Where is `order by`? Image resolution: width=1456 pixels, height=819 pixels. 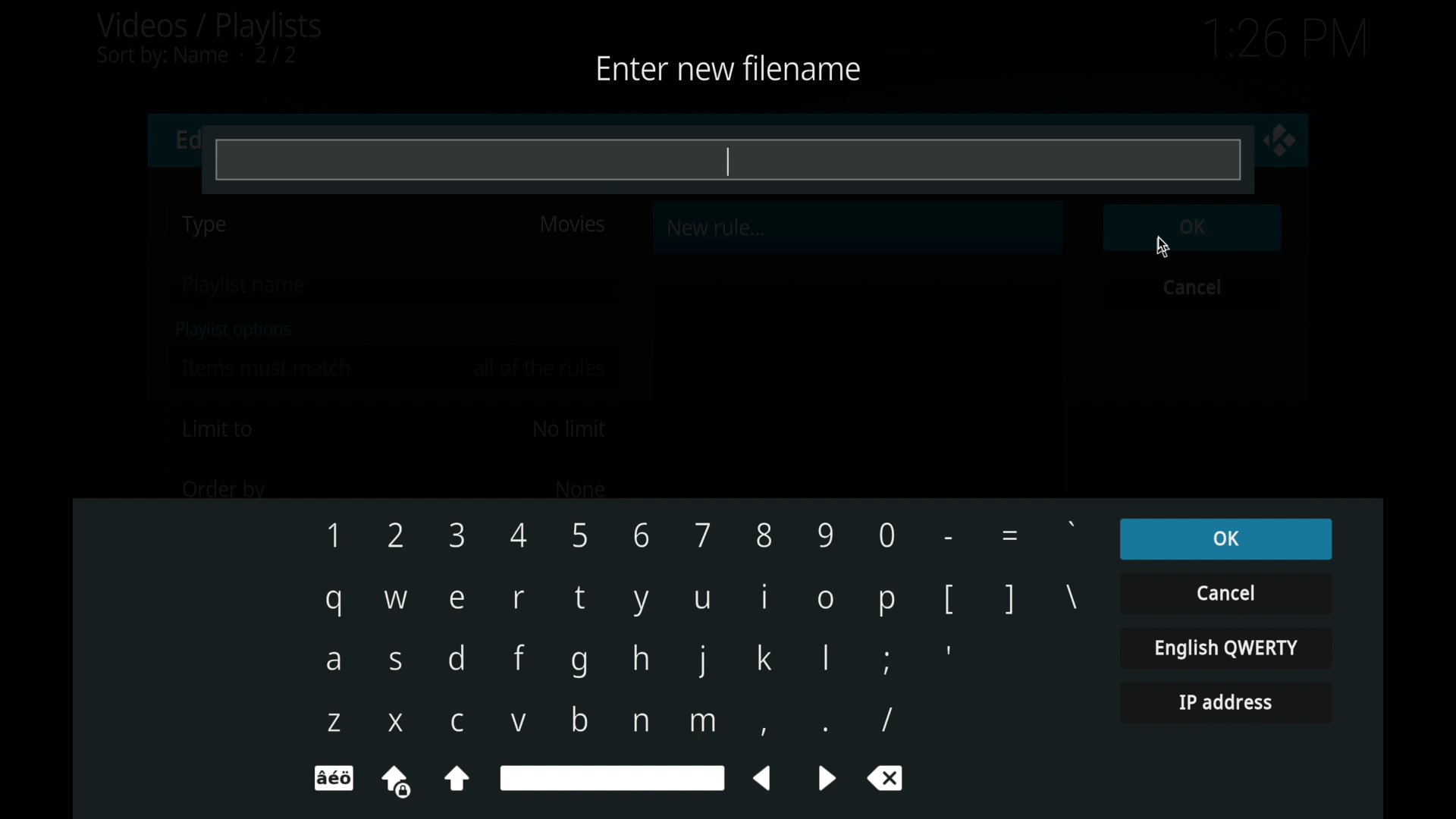
order by is located at coordinates (224, 491).